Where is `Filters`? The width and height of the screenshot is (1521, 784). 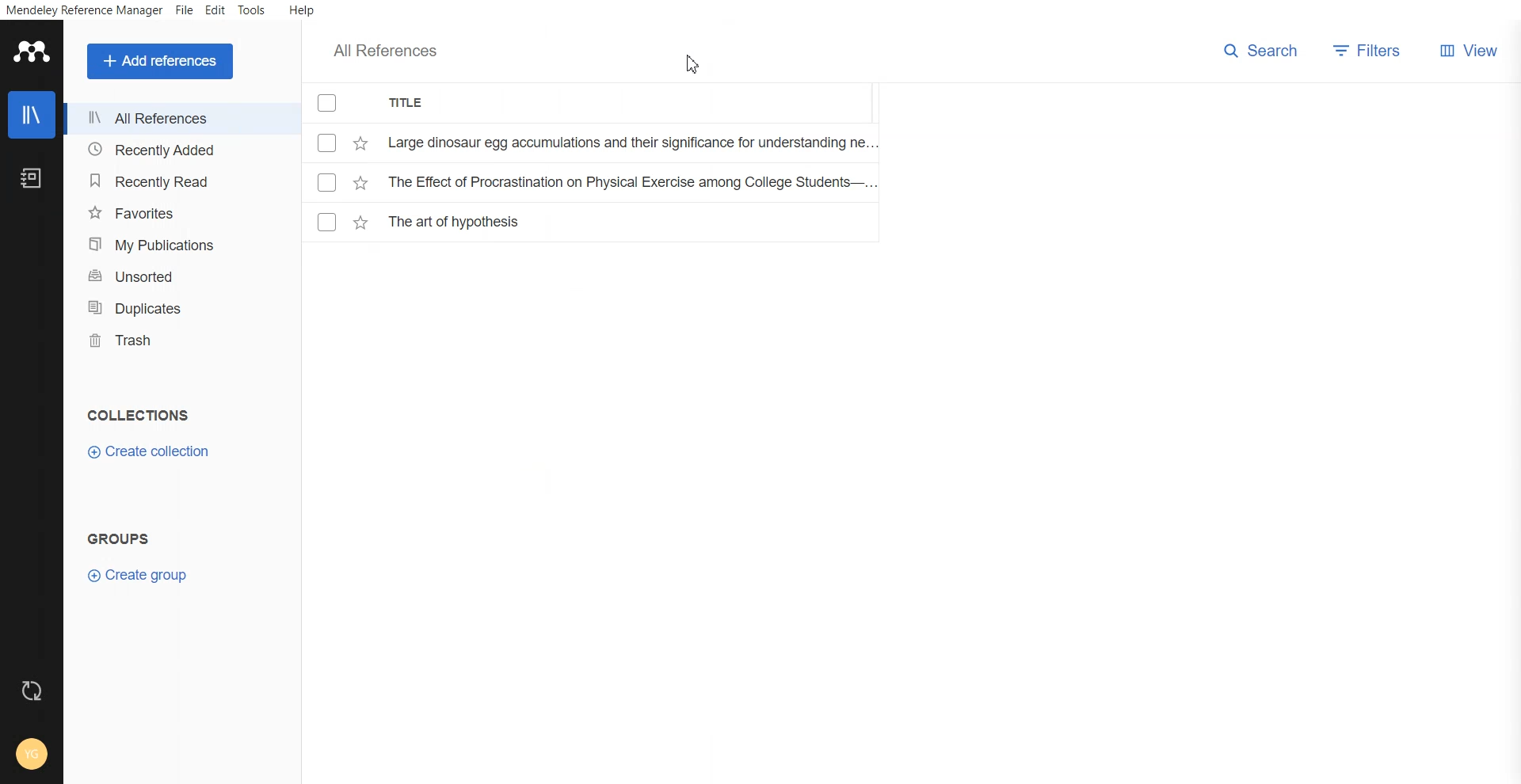 Filters is located at coordinates (1371, 51).